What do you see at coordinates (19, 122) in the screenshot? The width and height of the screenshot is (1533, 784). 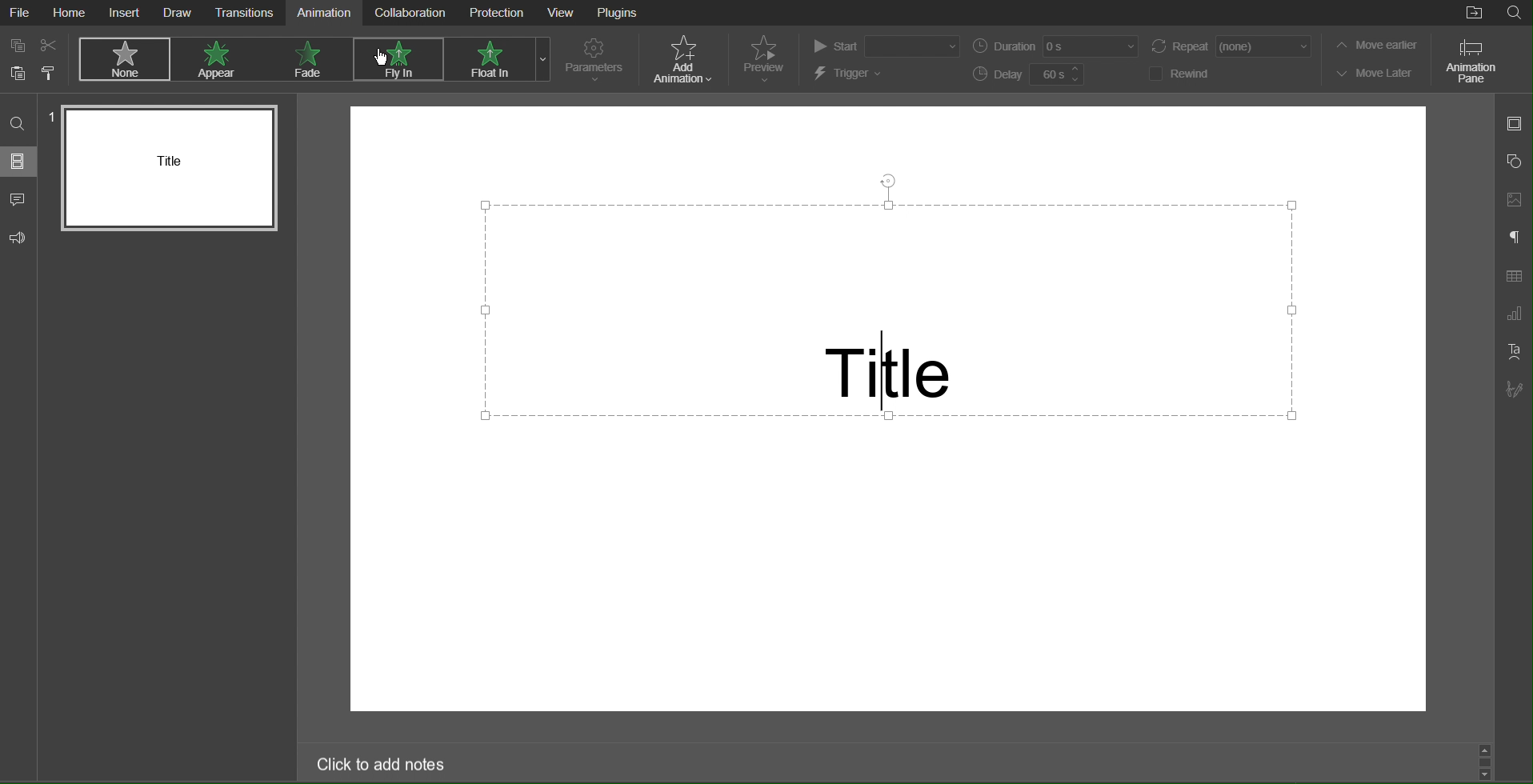 I see `Search` at bounding box center [19, 122].